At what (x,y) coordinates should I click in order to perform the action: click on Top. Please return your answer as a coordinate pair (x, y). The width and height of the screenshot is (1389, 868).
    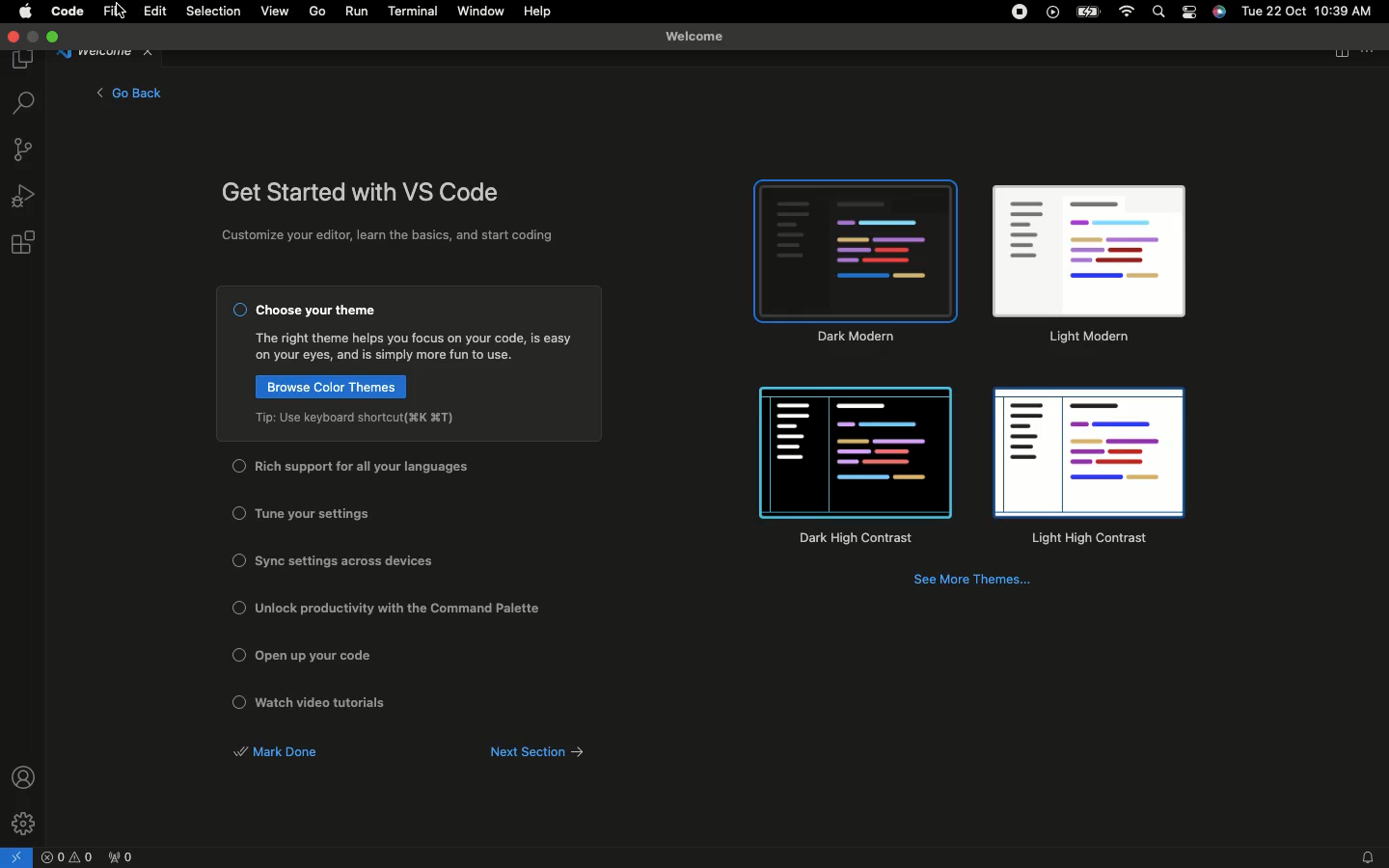
    Looking at the image, I should click on (359, 418).